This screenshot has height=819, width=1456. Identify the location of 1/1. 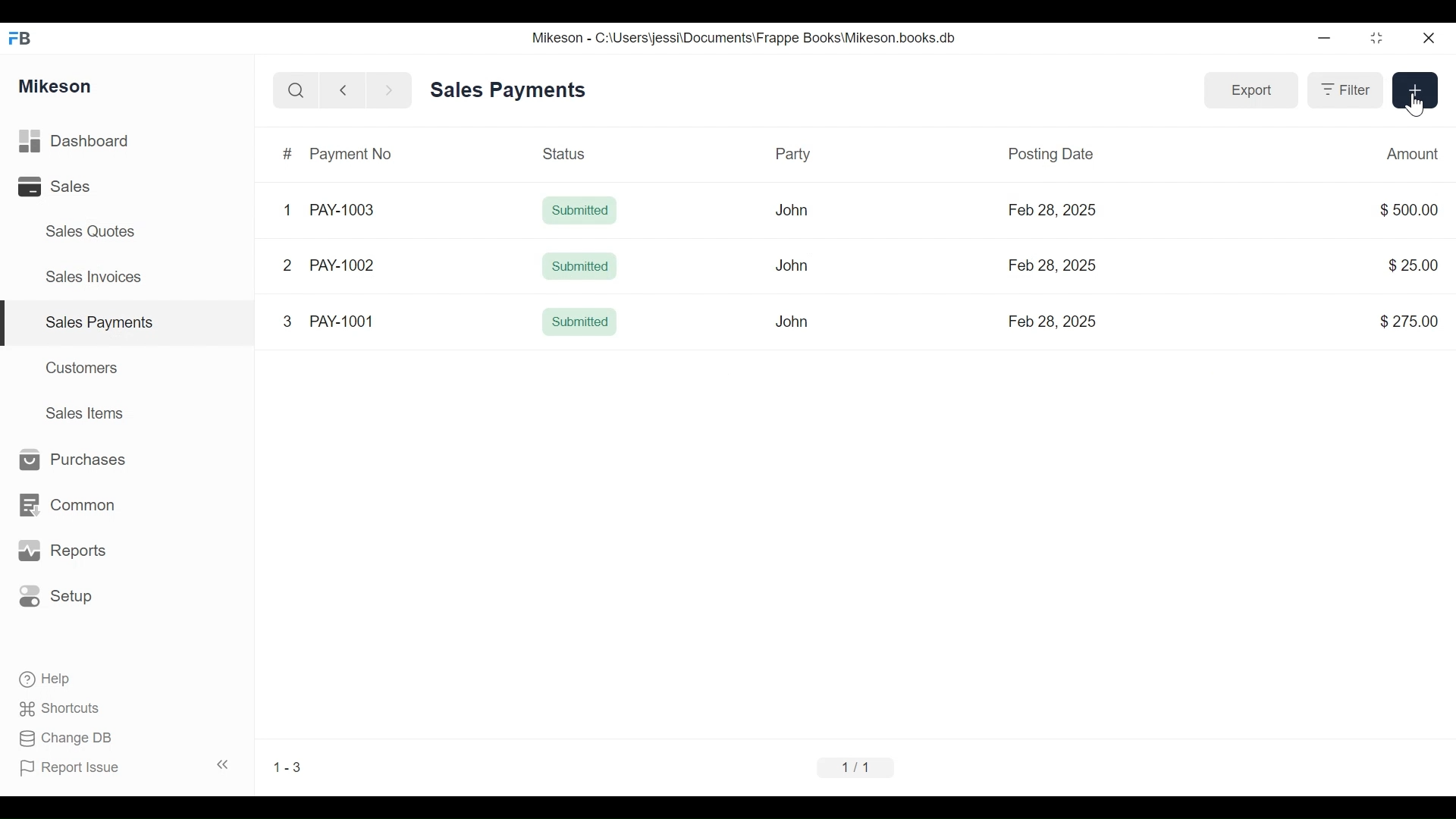
(855, 765).